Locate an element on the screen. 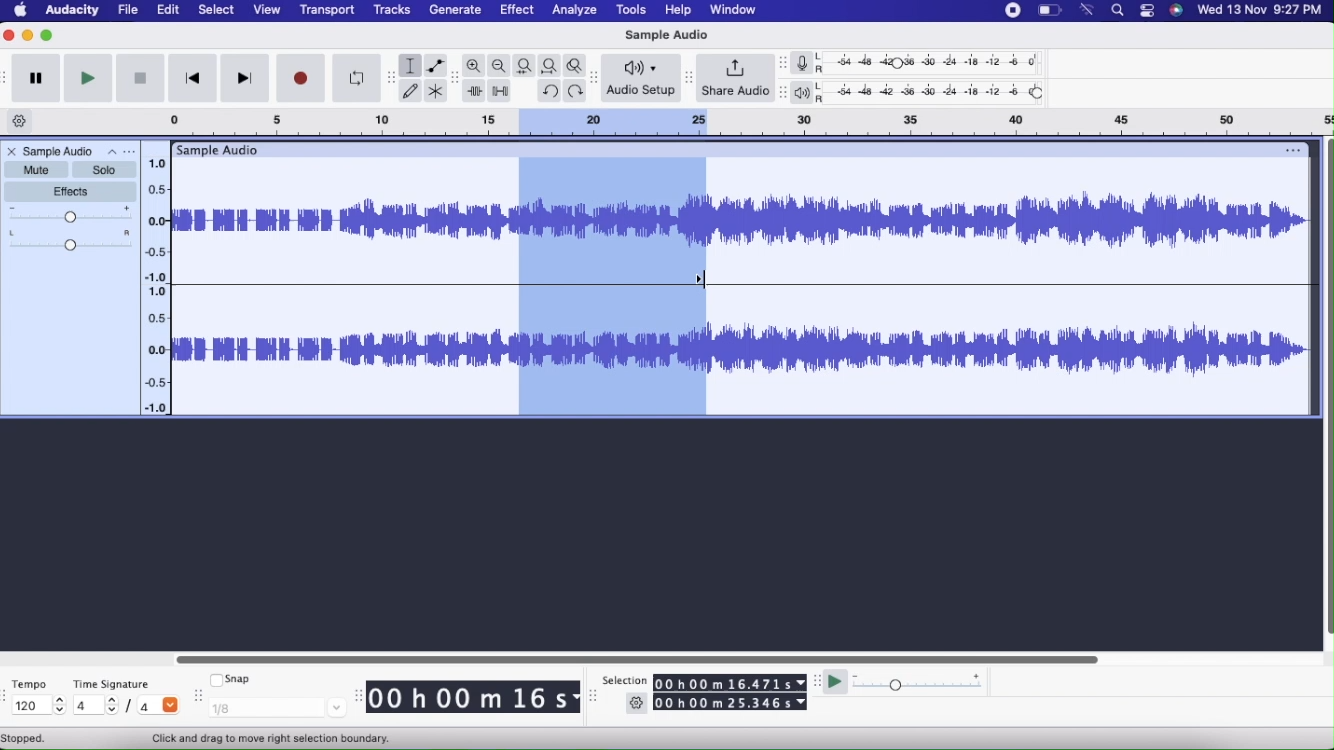 The width and height of the screenshot is (1334, 750). 00 h 00 m 16.471 s is located at coordinates (729, 680).